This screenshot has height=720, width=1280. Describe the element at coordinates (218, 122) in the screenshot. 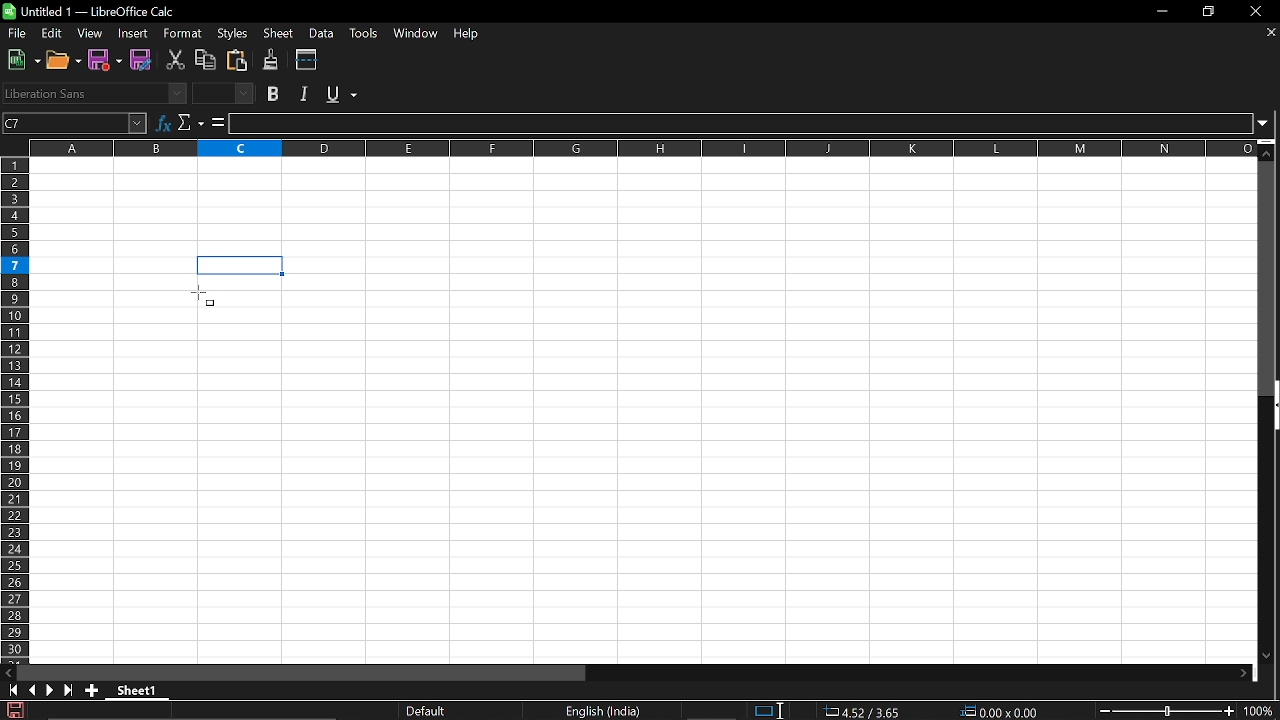

I see `Formula` at that location.